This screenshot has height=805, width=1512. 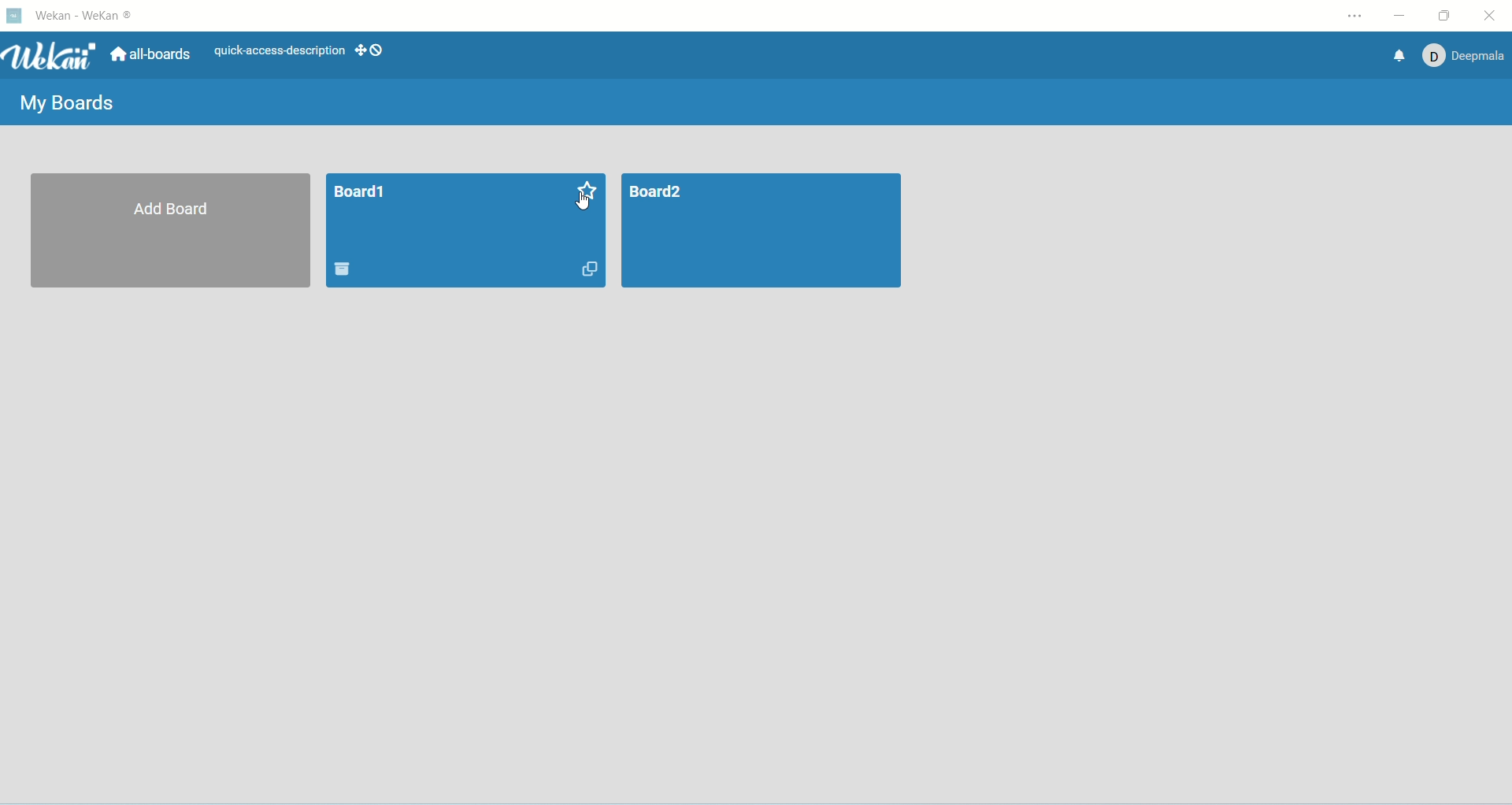 What do you see at coordinates (280, 52) in the screenshot?
I see `text` at bounding box center [280, 52].